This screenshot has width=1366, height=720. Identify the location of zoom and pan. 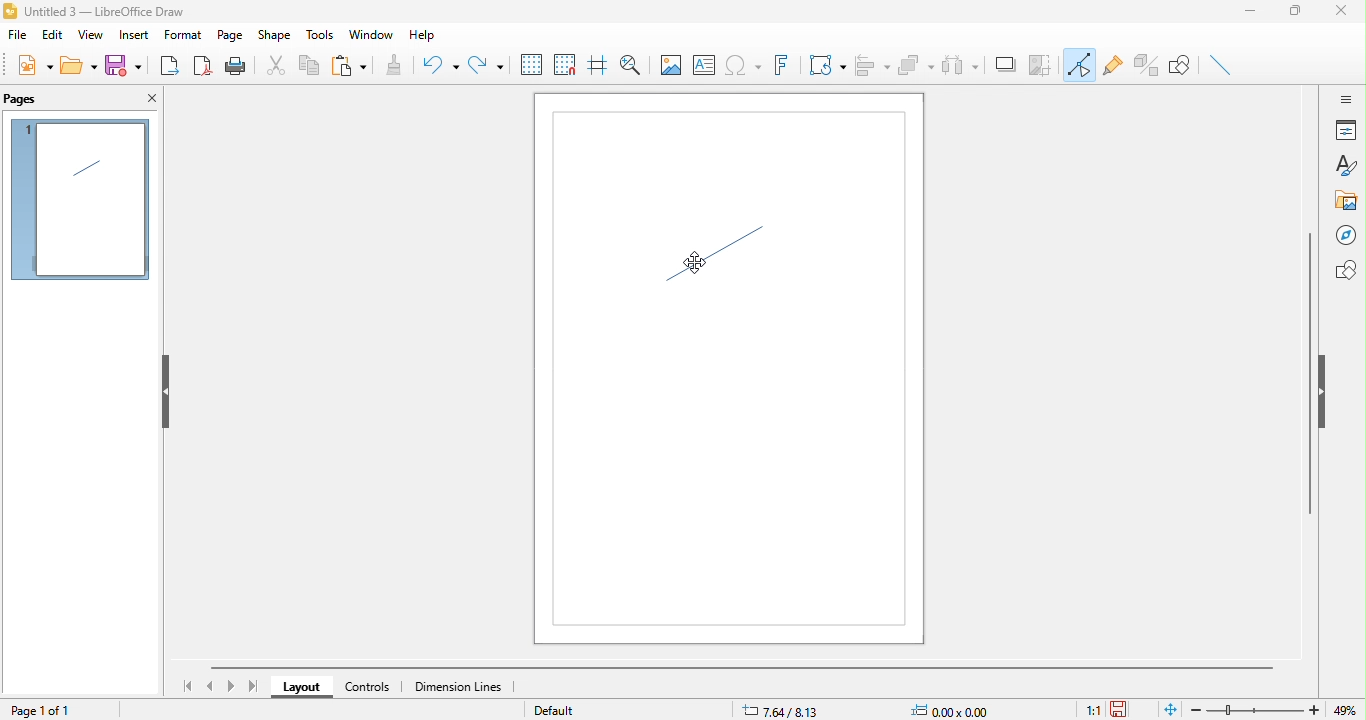
(630, 62).